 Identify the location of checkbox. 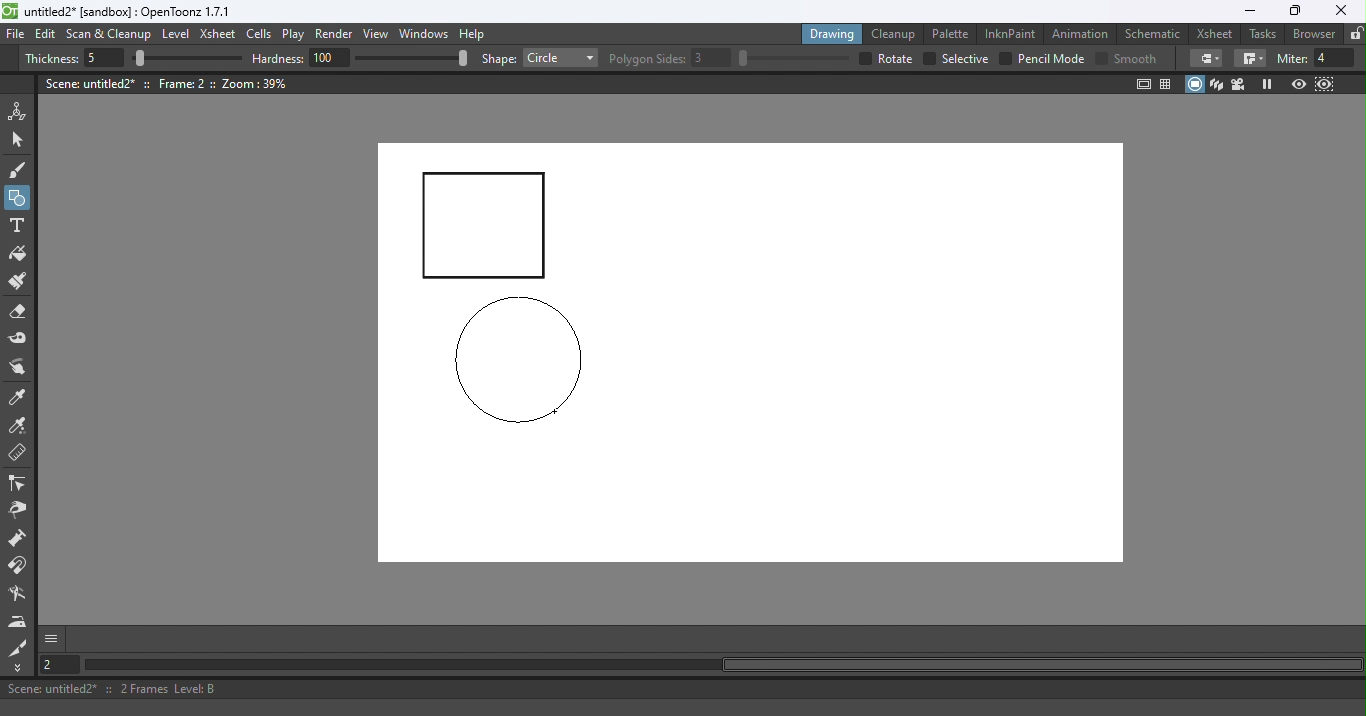
(928, 59).